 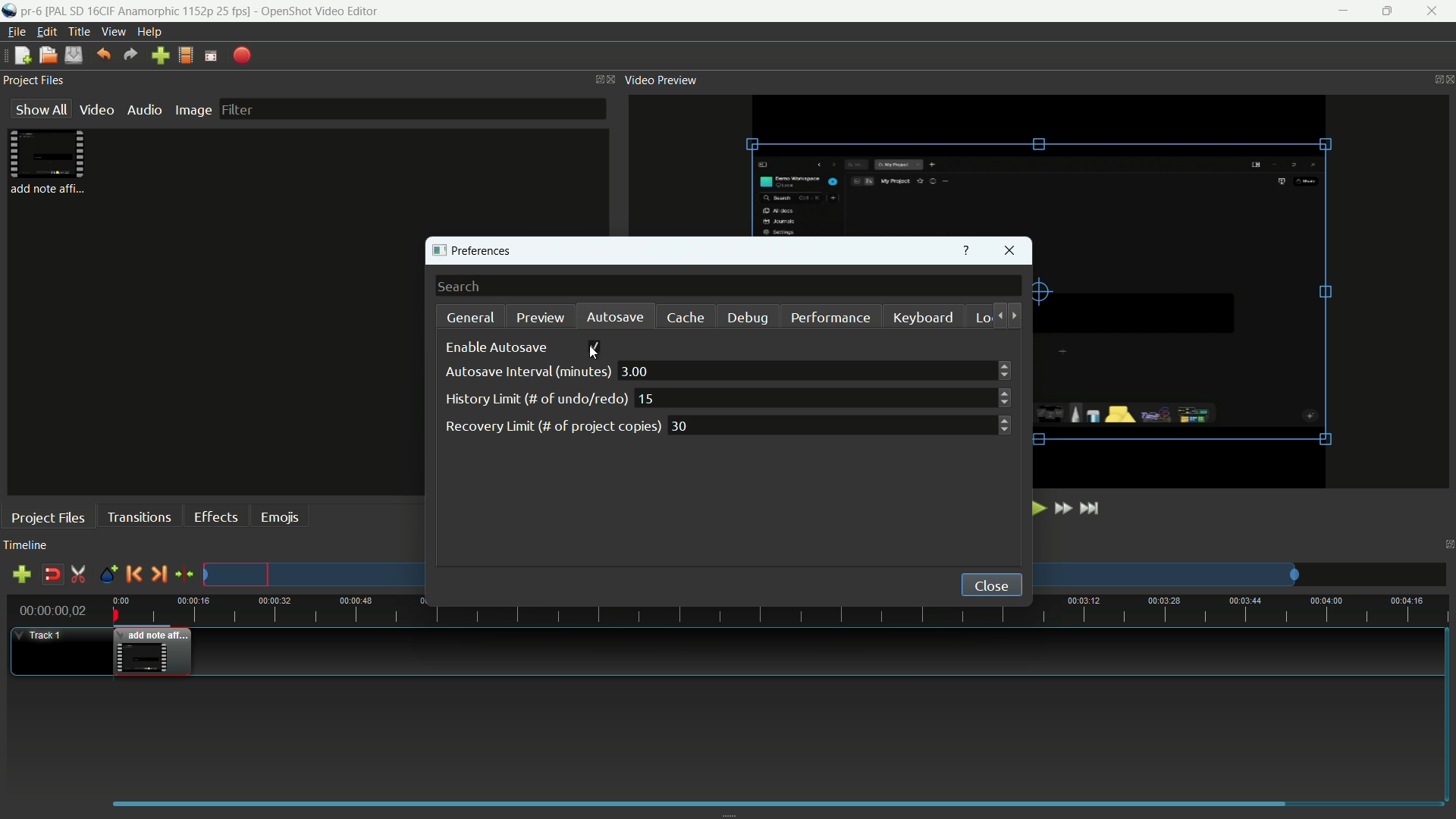 What do you see at coordinates (48, 55) in the screenshot?
I see `open file` at bounding box center [48, 55].